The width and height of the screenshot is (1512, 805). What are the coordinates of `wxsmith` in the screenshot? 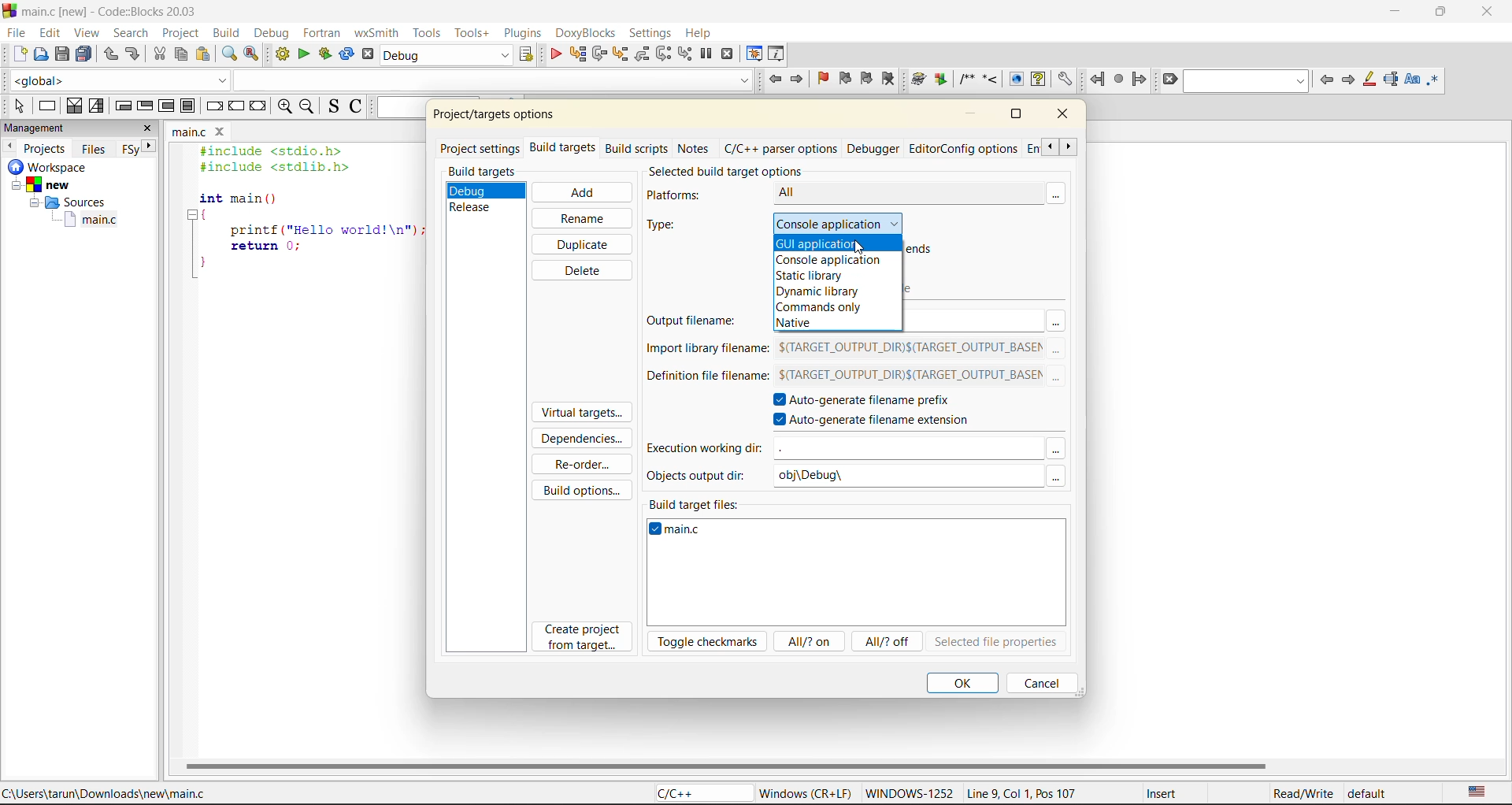 It's located at (379, 32).